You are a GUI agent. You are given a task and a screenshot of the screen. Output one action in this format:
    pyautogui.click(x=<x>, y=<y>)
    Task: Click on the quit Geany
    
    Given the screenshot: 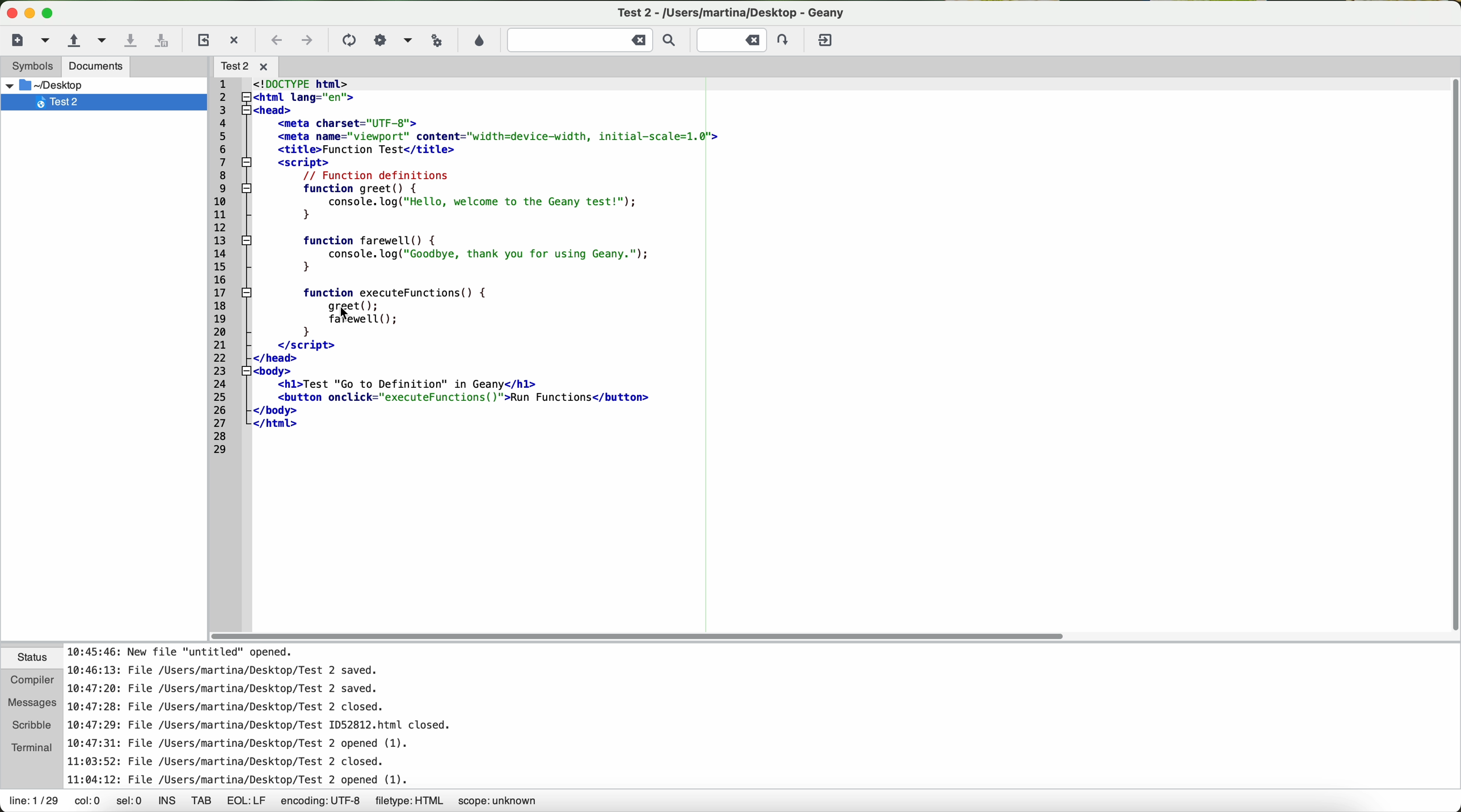 What is the action you would take?
    pyautogui.click(x=827, y=43)
    